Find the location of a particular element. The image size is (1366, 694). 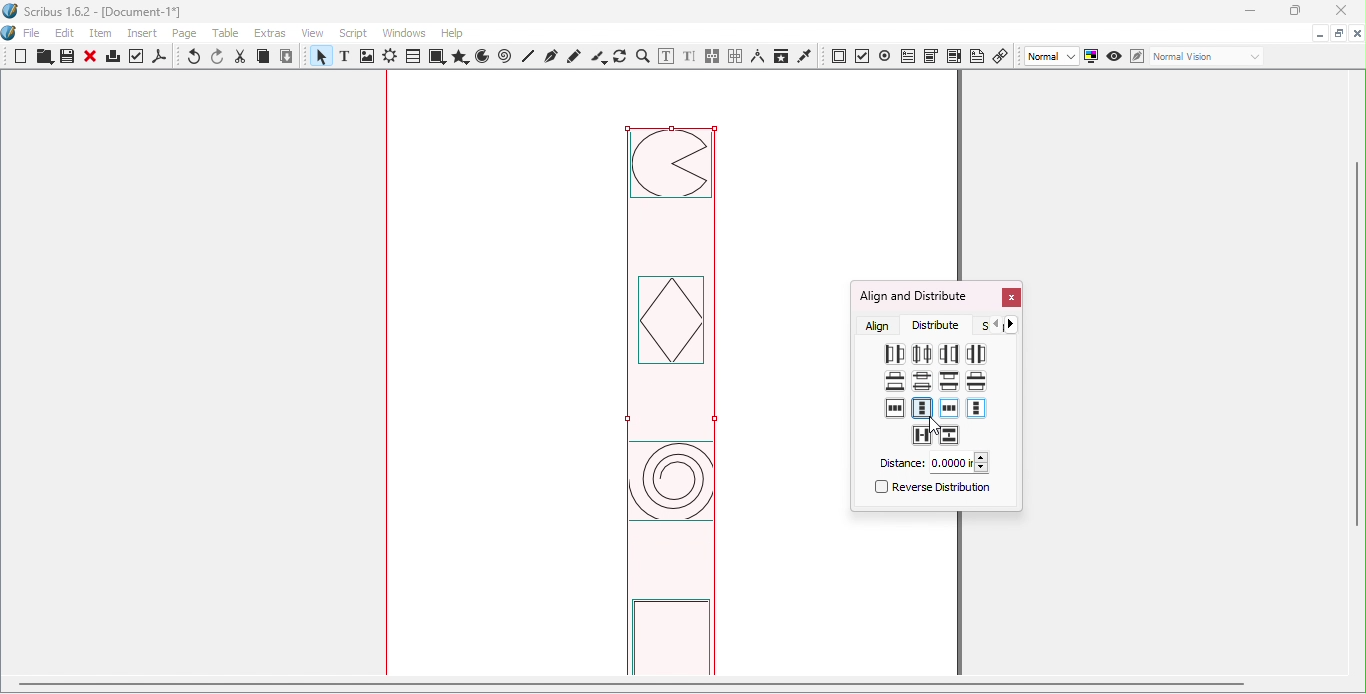

Redo is located at coordinates (219, 57).